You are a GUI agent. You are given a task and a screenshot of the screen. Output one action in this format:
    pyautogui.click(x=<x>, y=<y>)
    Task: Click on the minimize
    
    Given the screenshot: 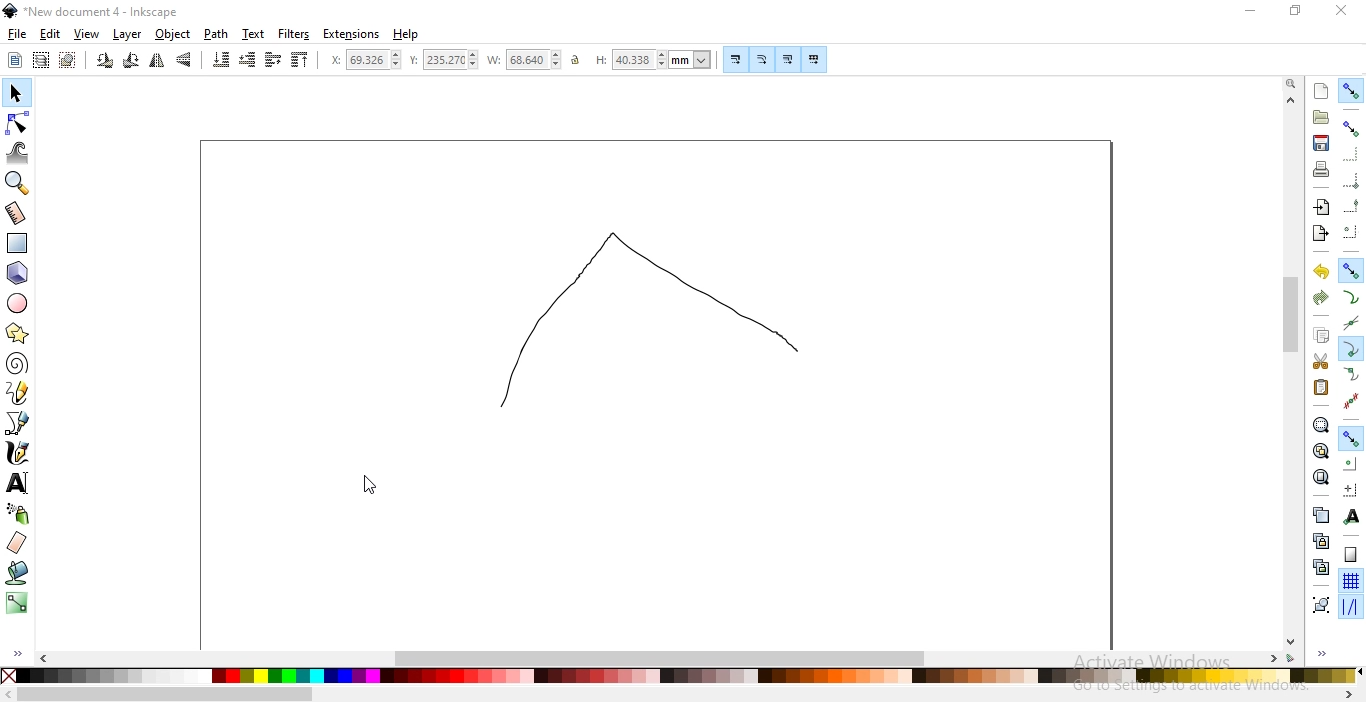 What is the action you would take?
    pyautogui.click(x=1252, y=9)
    